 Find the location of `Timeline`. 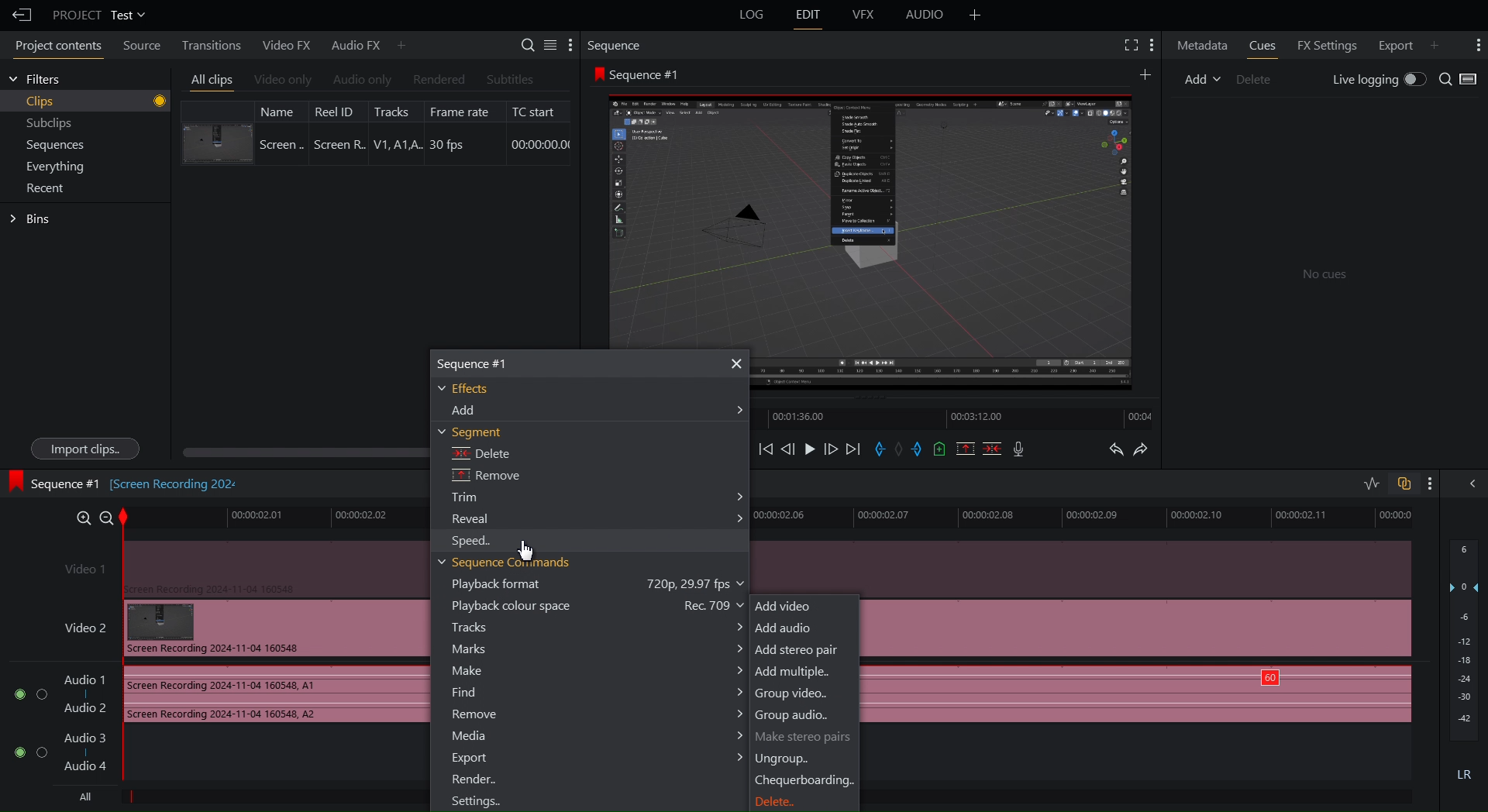

Timeline is located at coordinates (958, 415).